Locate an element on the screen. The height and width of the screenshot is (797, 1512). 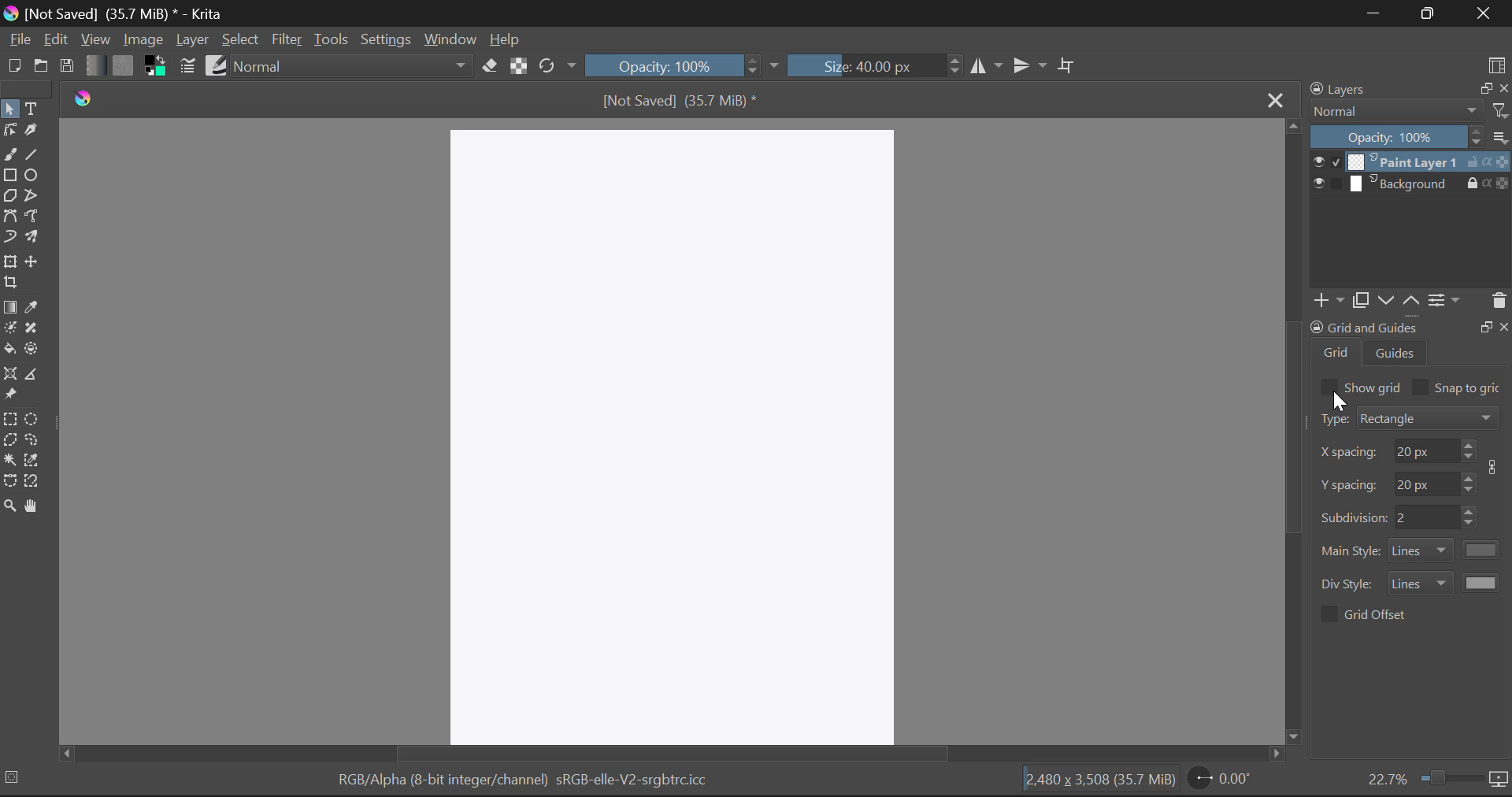
Opacity is located at coordinates (682, 65).